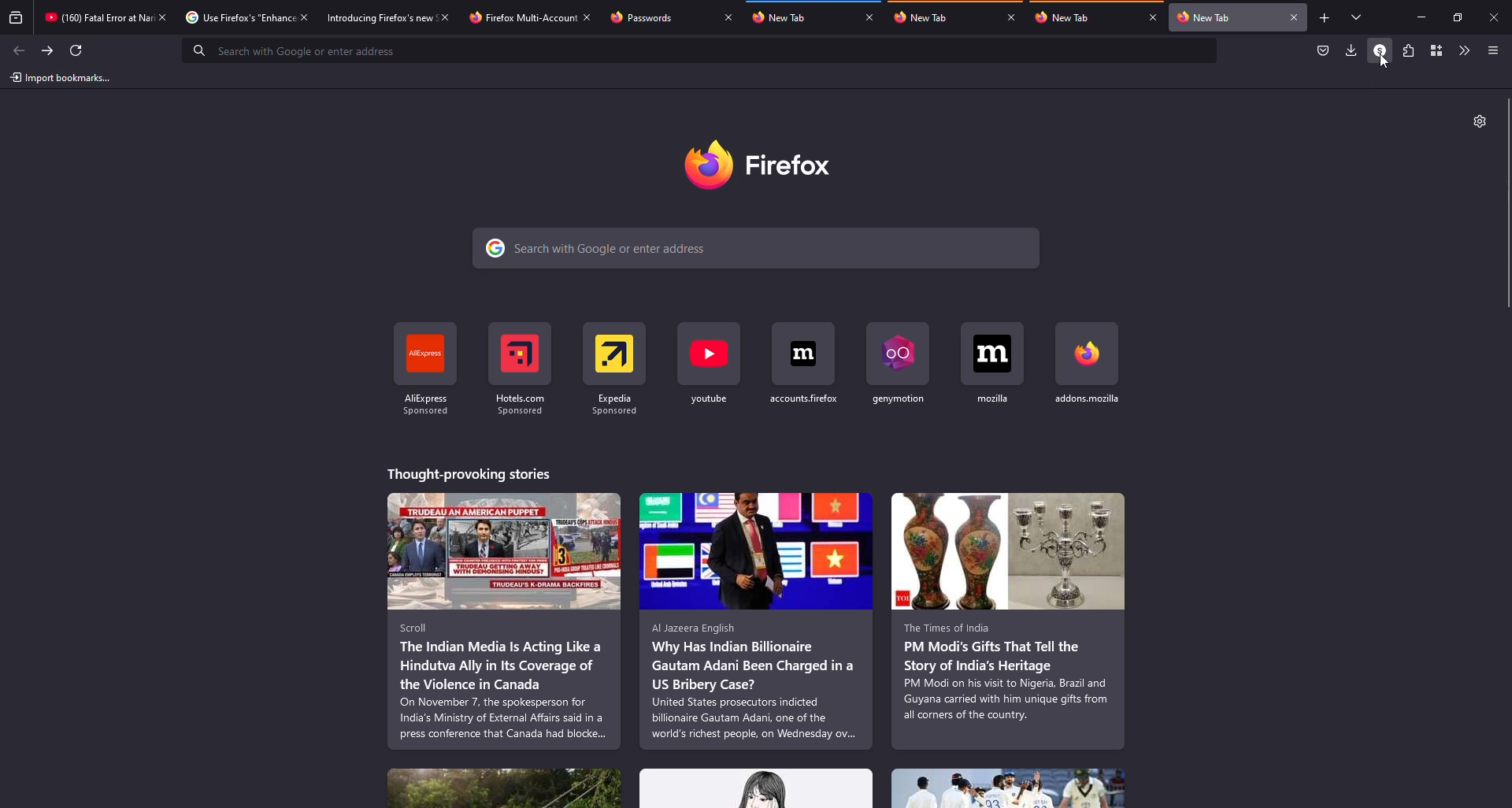 Image resolution: width=1512 pixels, height=808 pixels. I want to click on shortcut, so click(425, 366).